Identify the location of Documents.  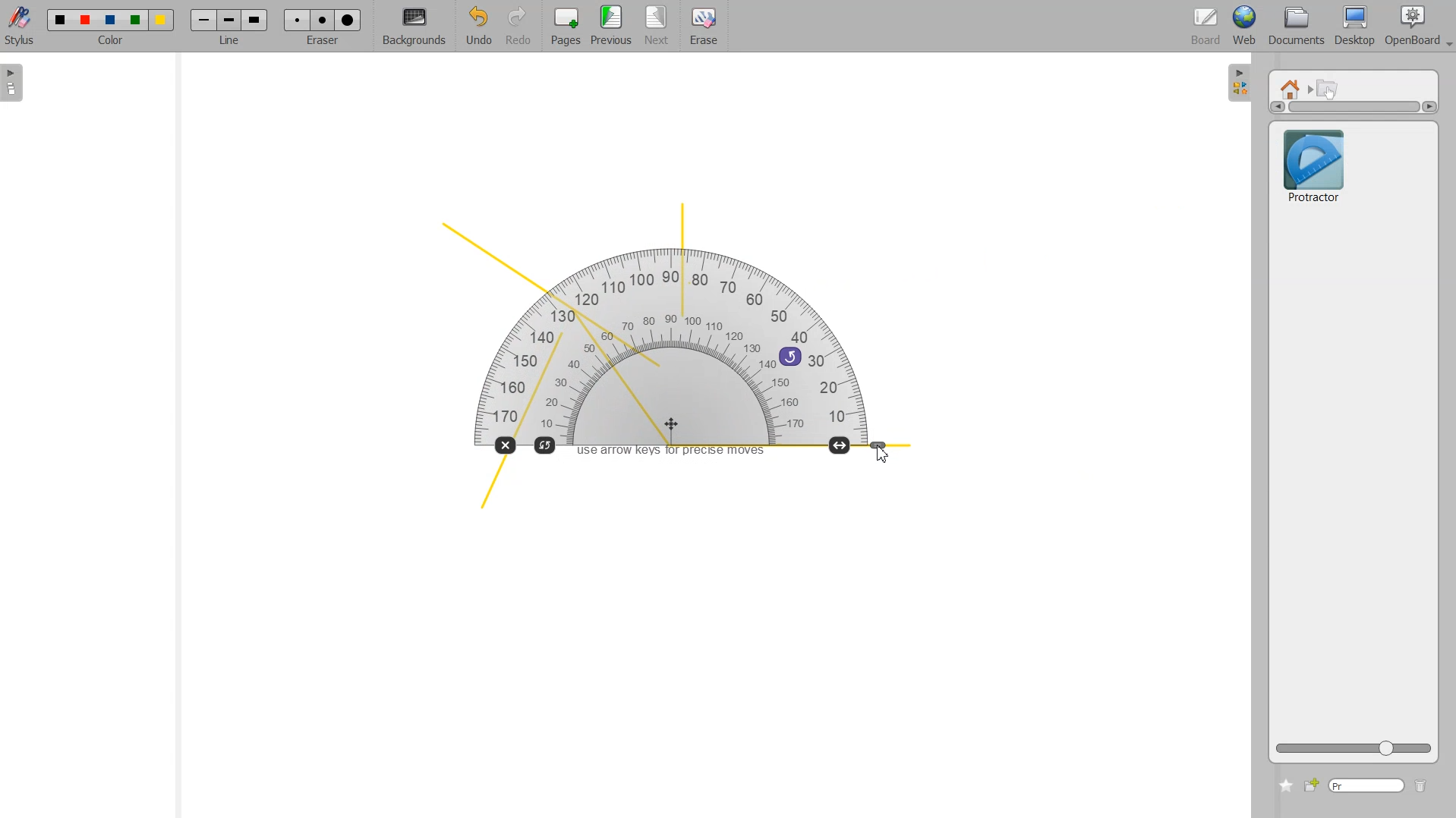
(1294, 27).